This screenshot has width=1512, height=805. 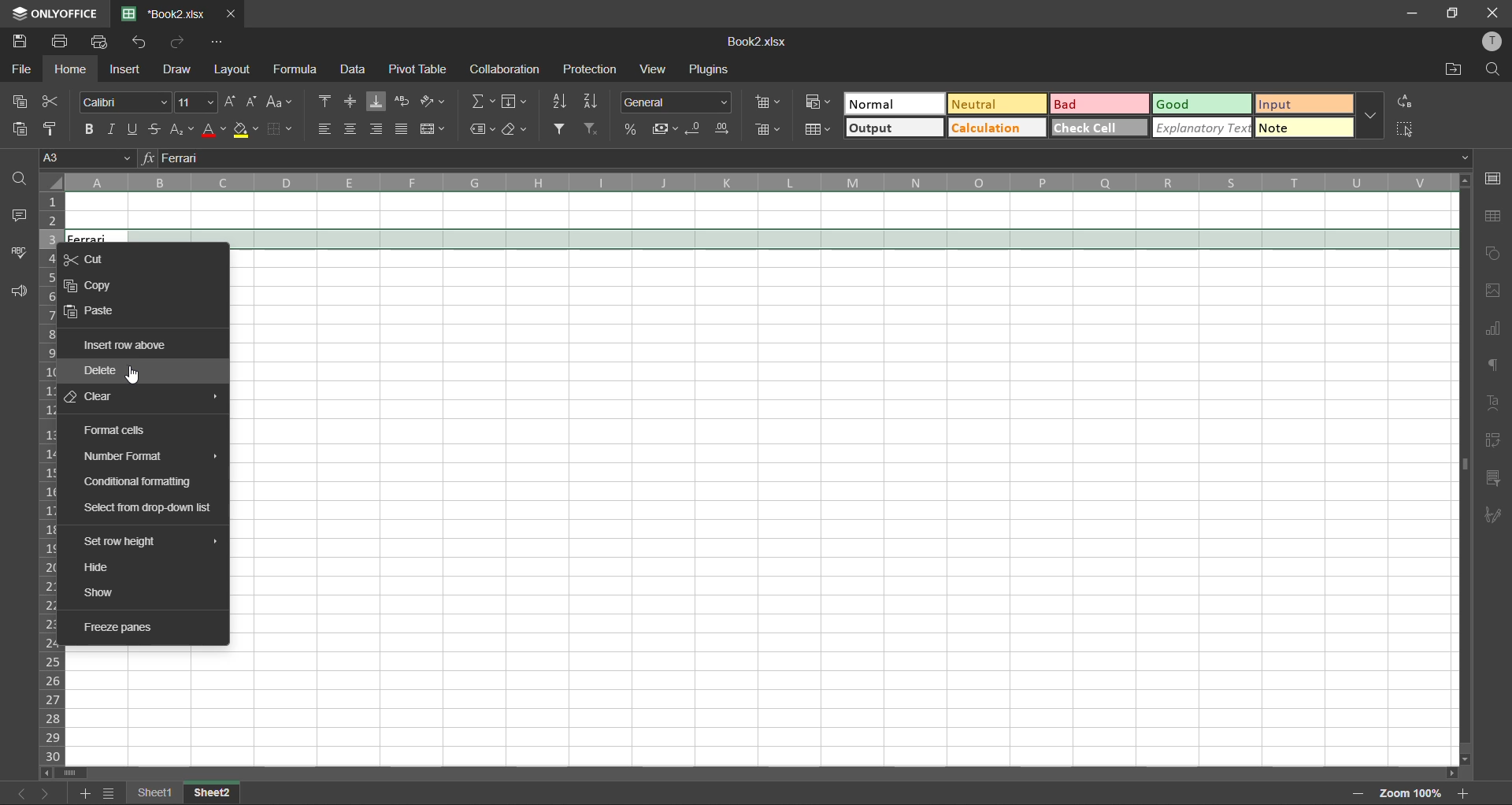 What do you see at coordinates (724, 129) in the screenshot?
I see `increase decimal` at bounding box center [724, 129].